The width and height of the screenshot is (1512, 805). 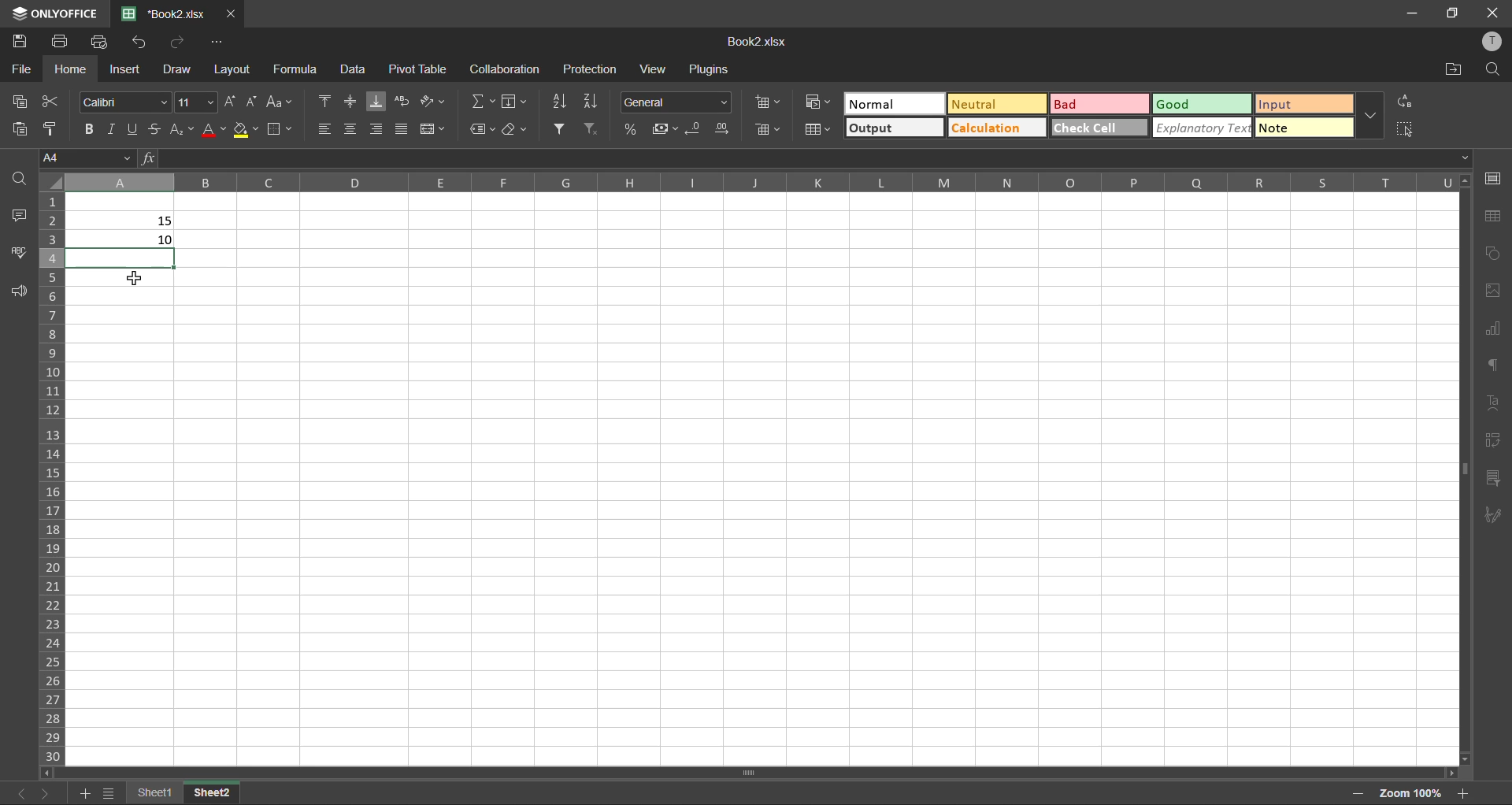 What do you see at coordinates (17, 128) in the screenshot?
I see `paste` at bounding box center [17, 128].